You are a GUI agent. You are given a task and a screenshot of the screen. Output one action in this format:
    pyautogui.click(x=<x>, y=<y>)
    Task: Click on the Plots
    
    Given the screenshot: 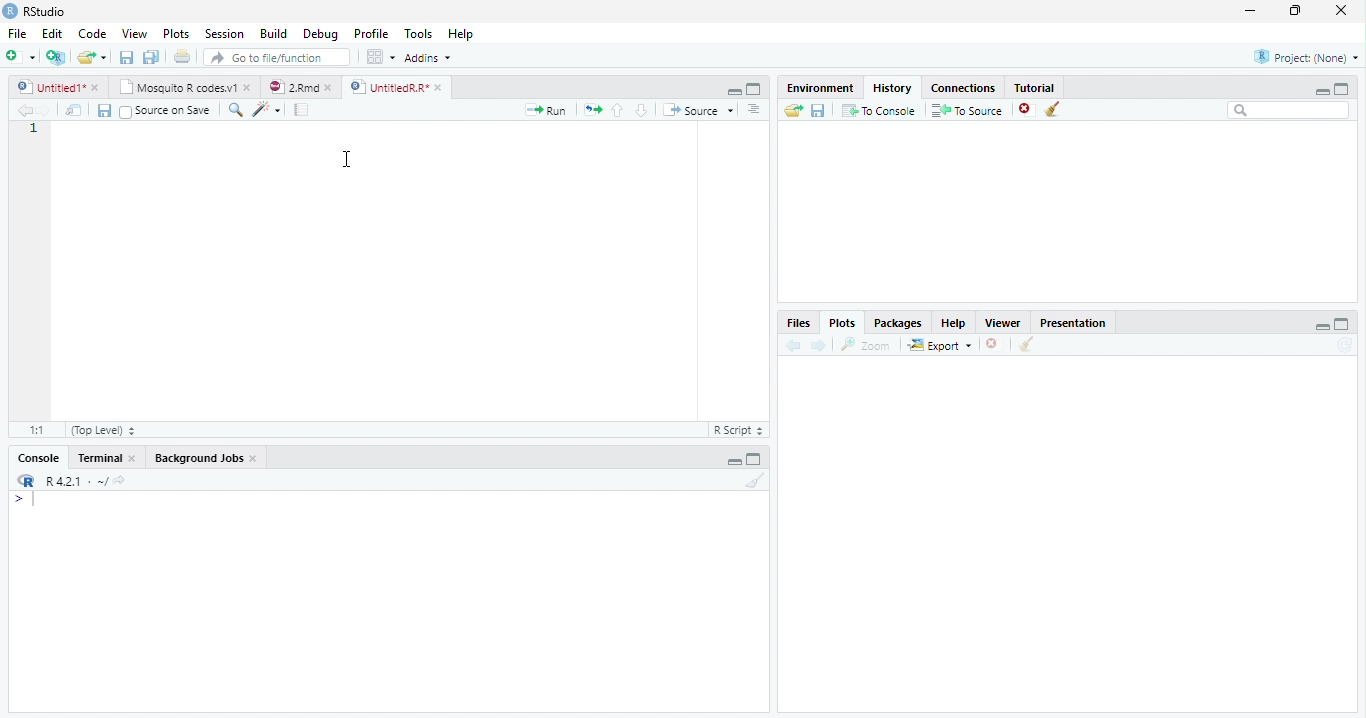 What is the action you would take?
    pyautogui.click(x=843, y=323)
    